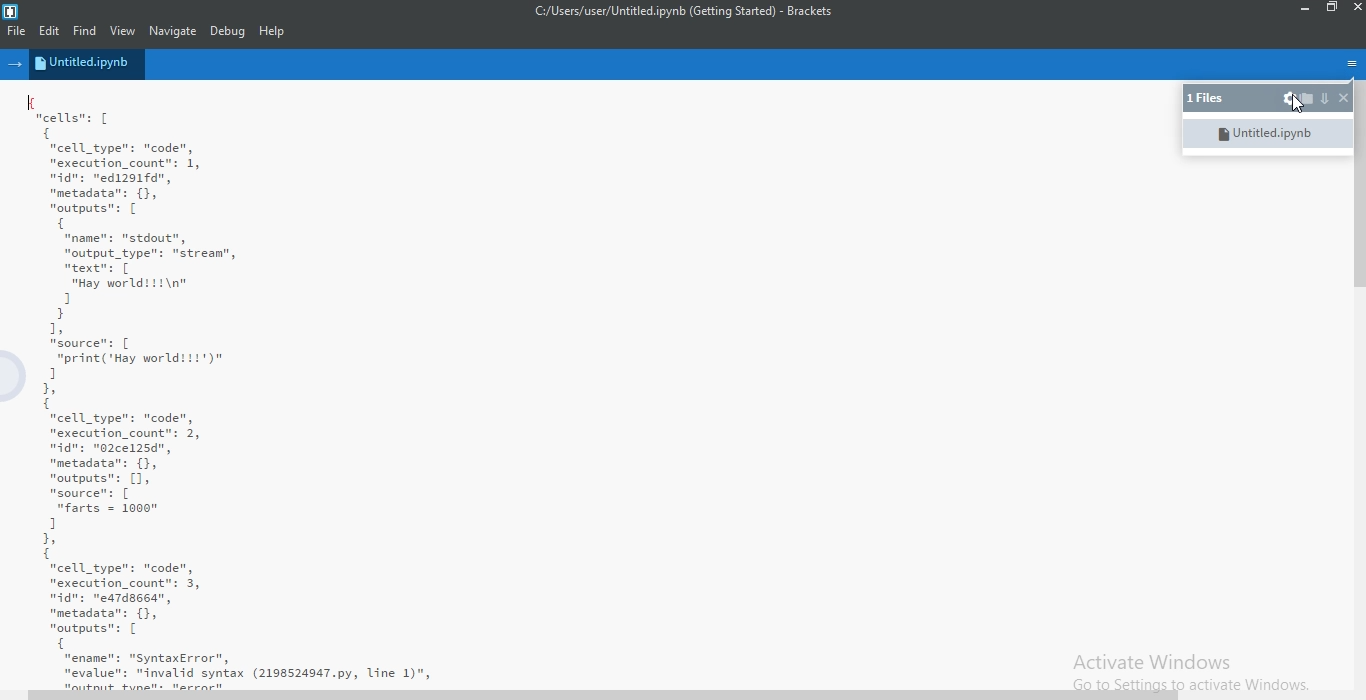 The width and height of the screenshot is (1366, 700). What do you see at coordinates (228, 32) in the screenshot?
I see `Debug` at bounding box center [228, 32].